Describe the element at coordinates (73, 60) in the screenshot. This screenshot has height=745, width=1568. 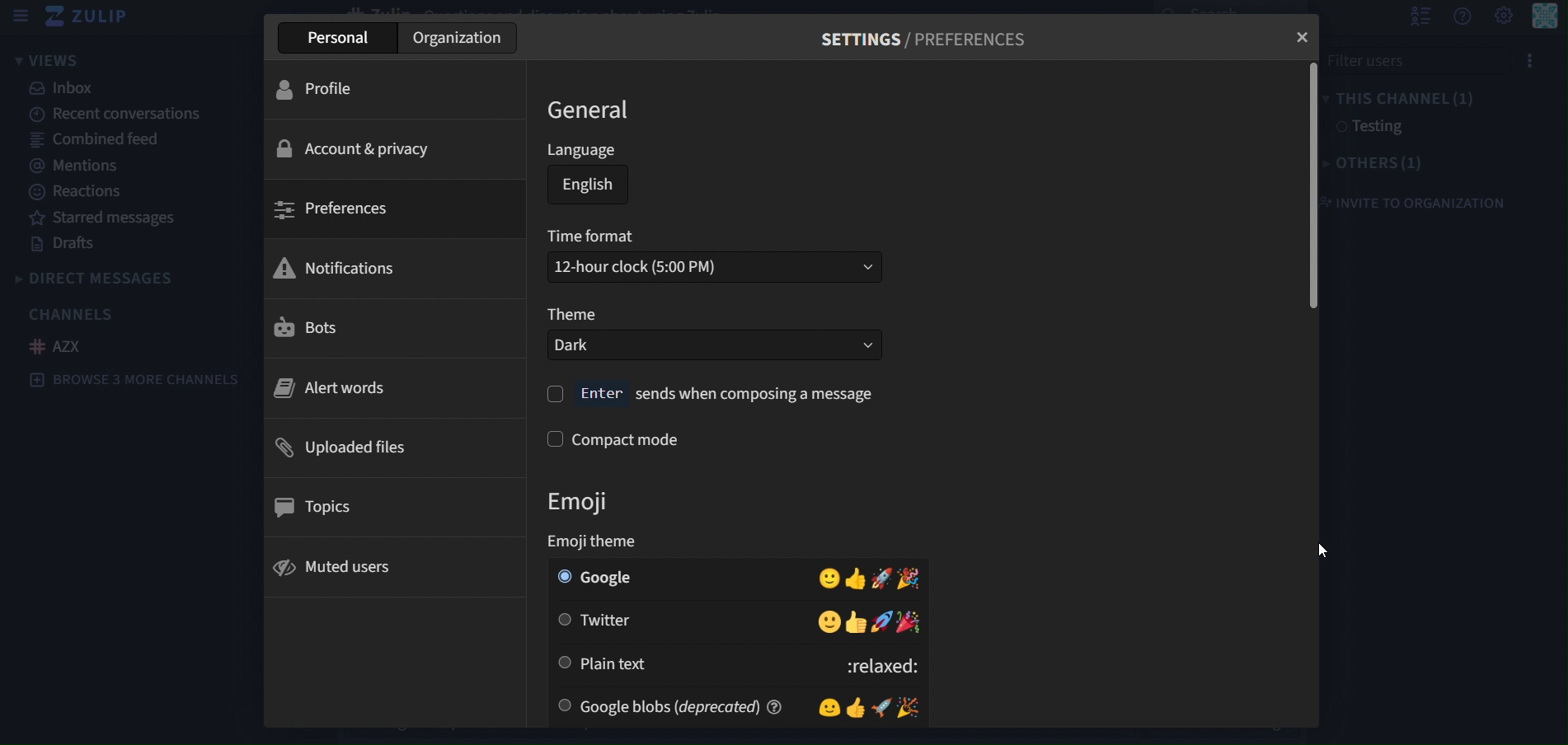
I see `views` at that location.